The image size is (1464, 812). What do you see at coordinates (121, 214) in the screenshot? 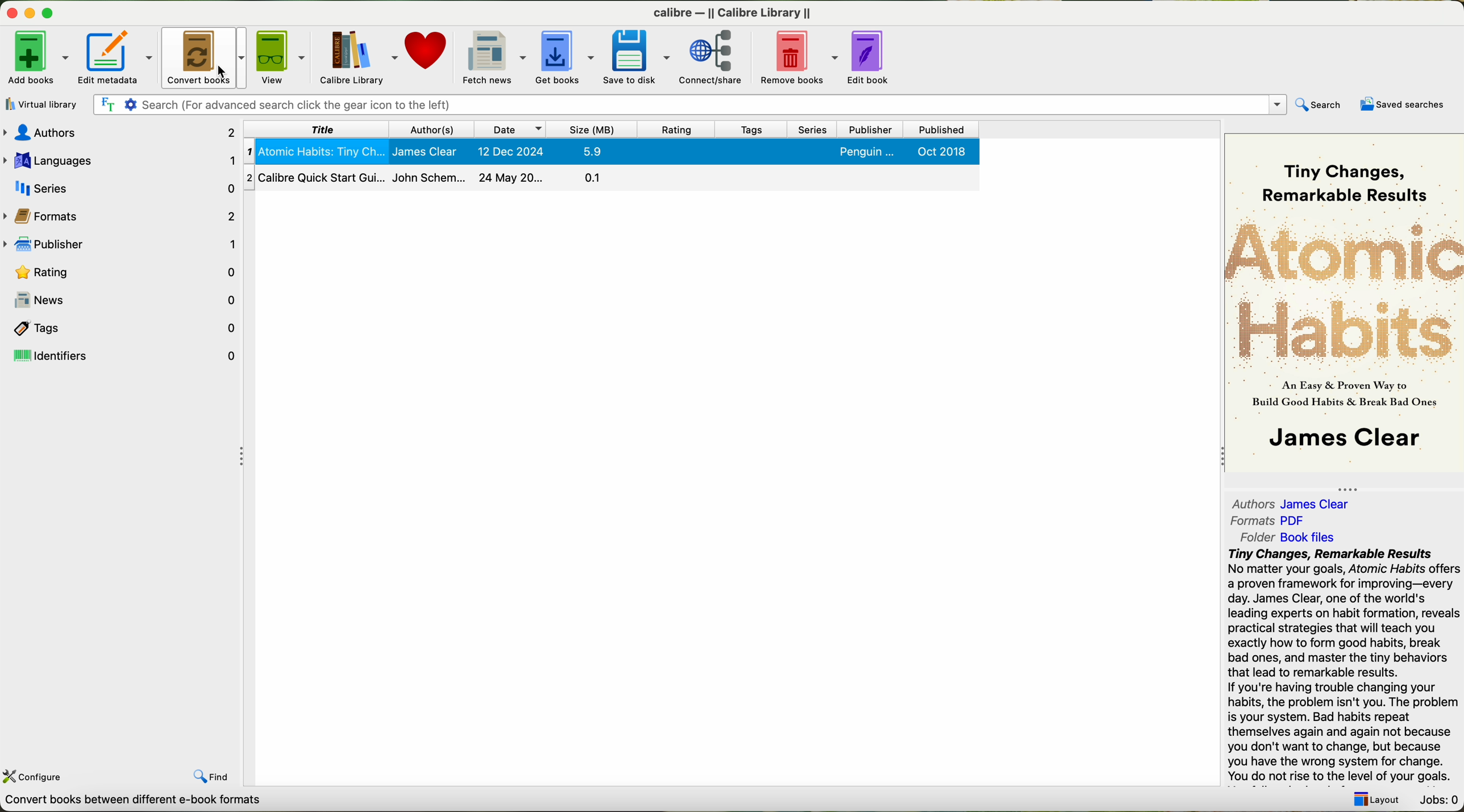
I see `formats` at bounding box center [121, 214].